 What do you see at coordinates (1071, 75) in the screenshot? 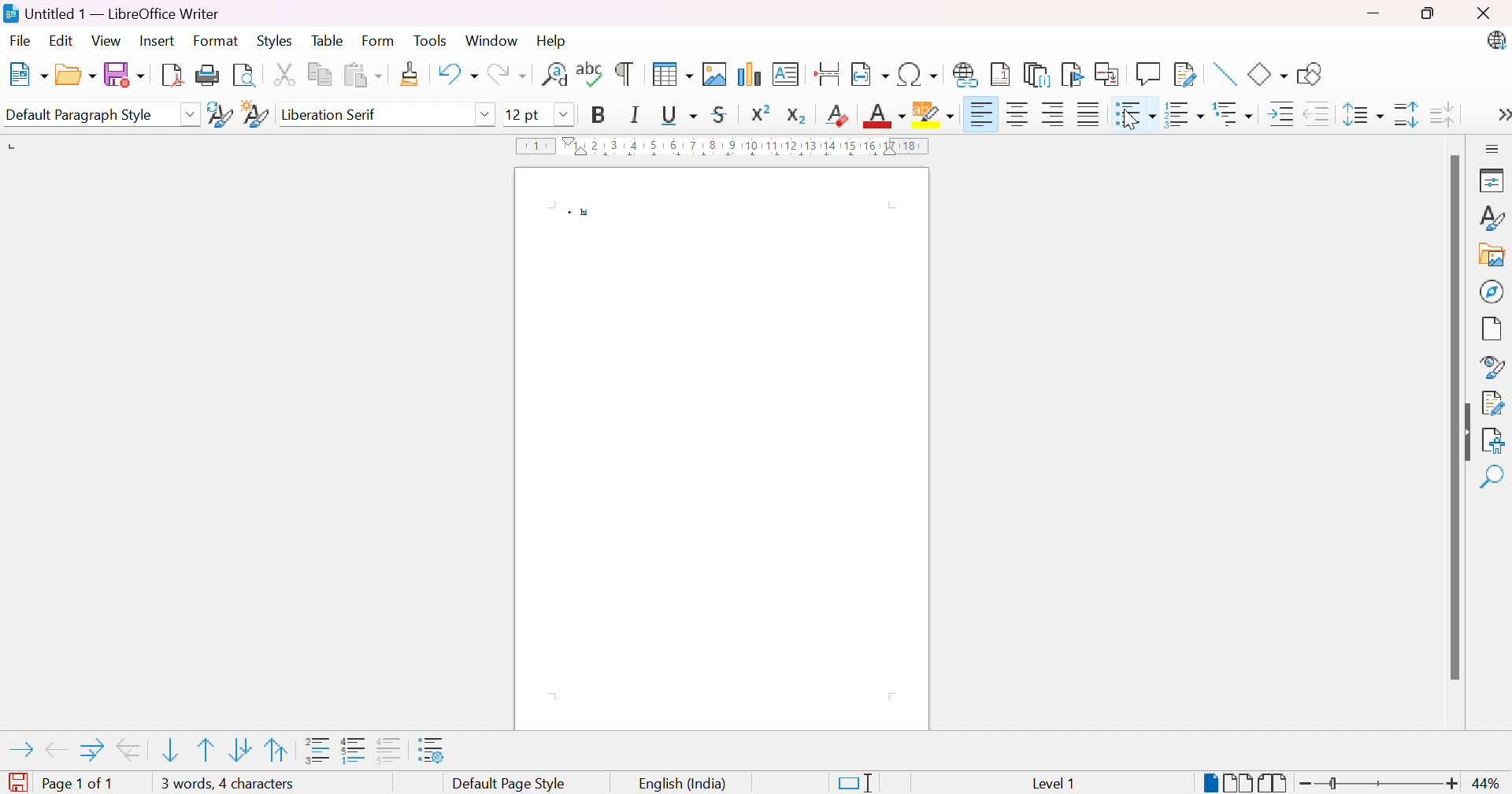
I see `Insert bookmark` at bounding box center [1071, 75].